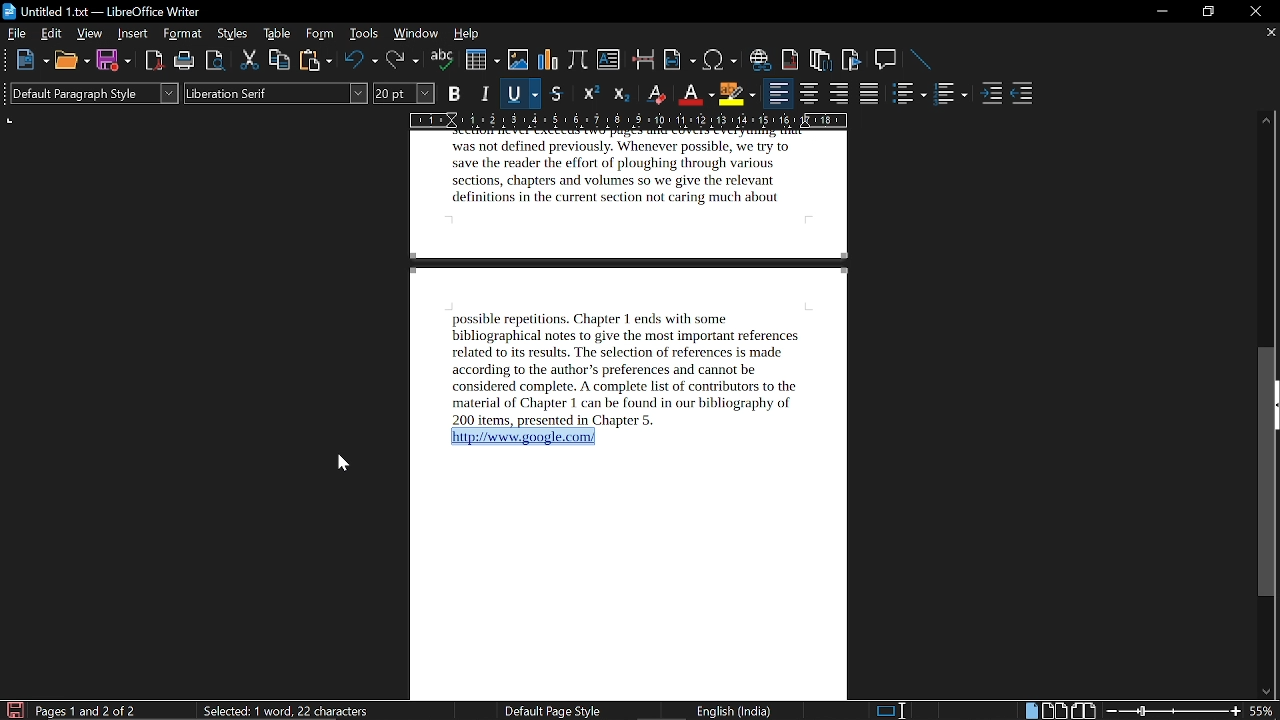 The width and height of the screenshot is (1280, 720). What do you see at coordinates (50, 33) in the screenshot?
I see `edit` at bounding box center [50, 33].